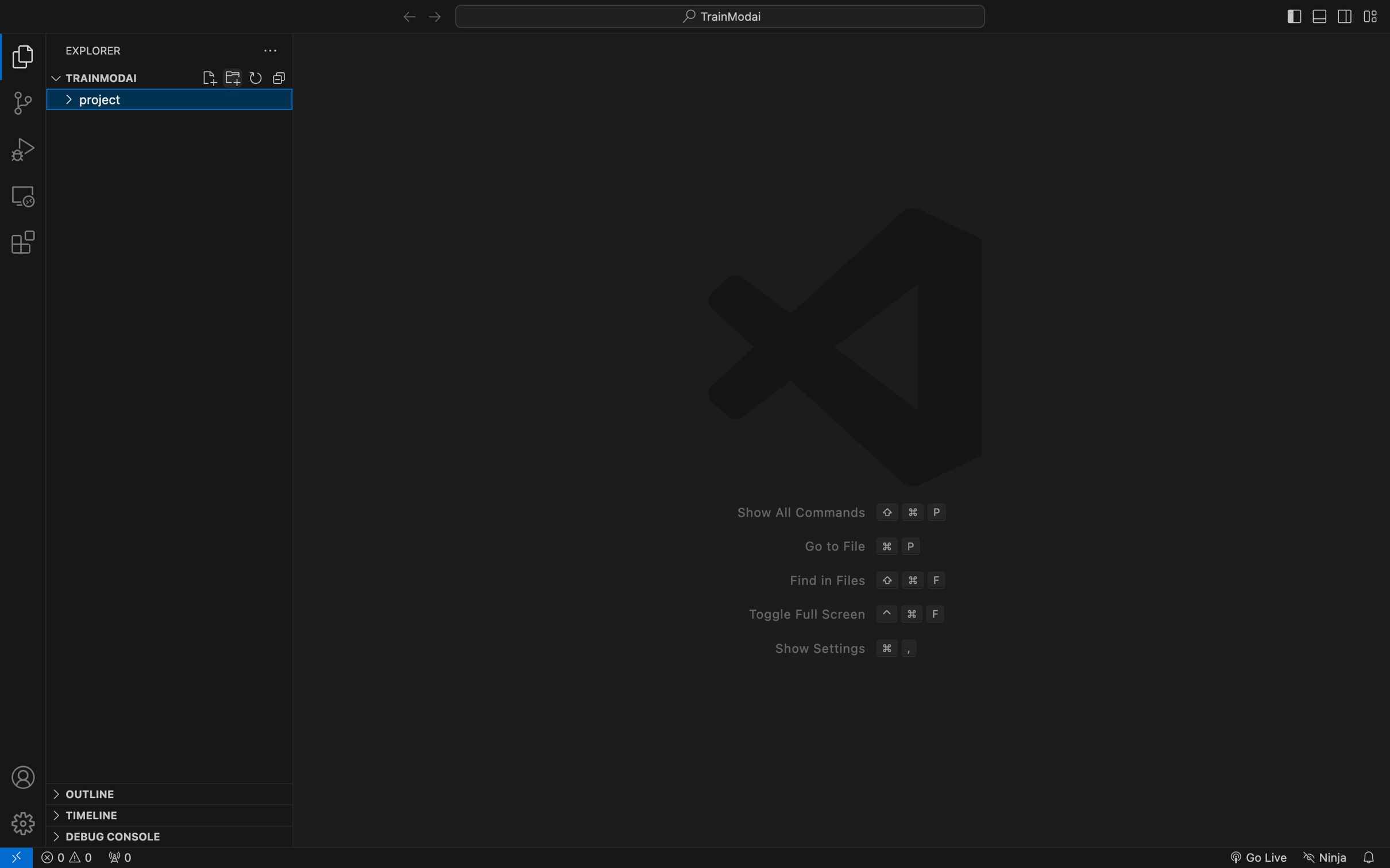 The height and width of the screenshot is (868, 1390). I want to click on toggle sidebar, so click(1374, 13).